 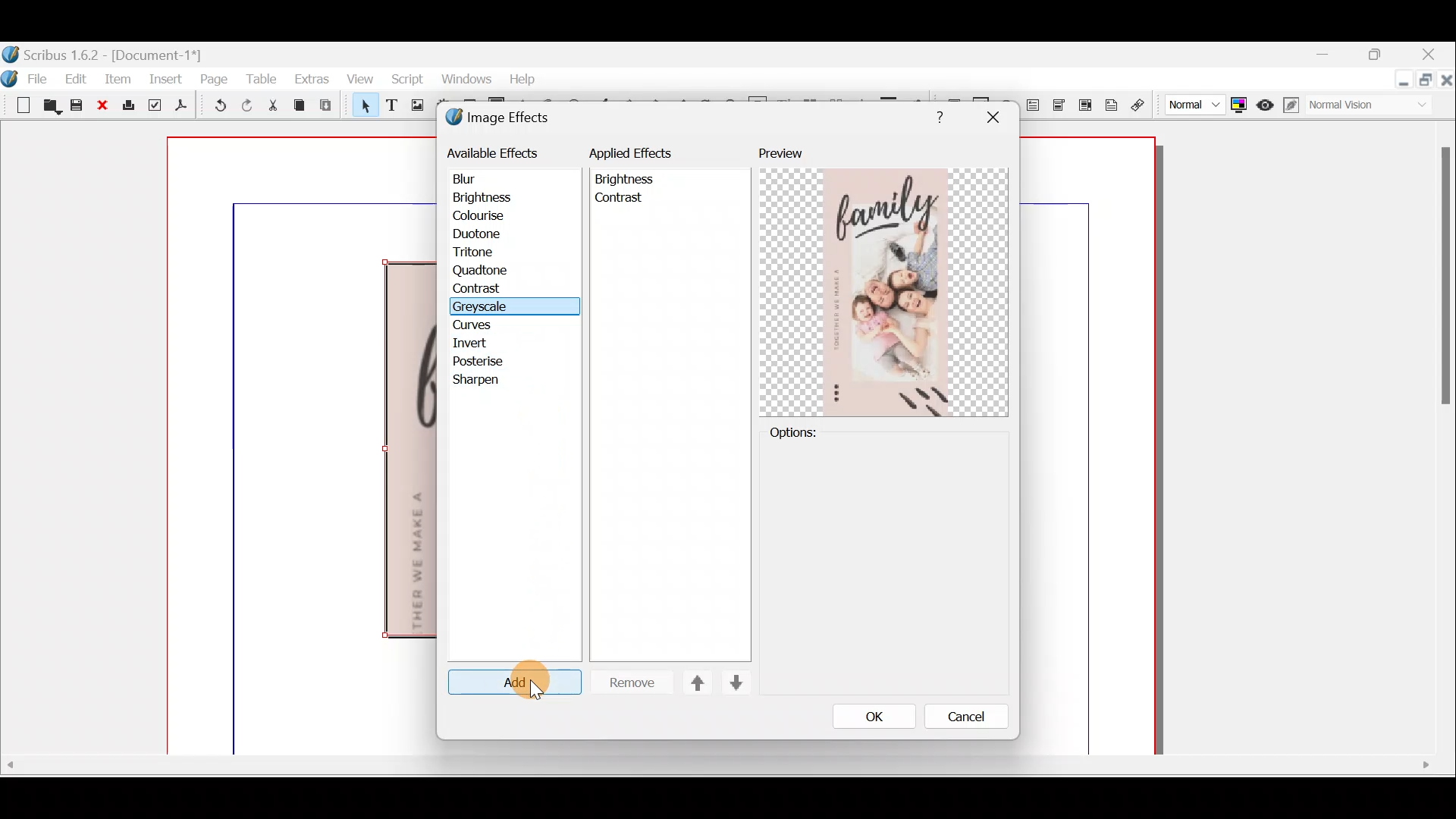 What do you see at coordinates (506, 118) in the screenshot?
I see `Image effects` at bounding box center [506, 118].